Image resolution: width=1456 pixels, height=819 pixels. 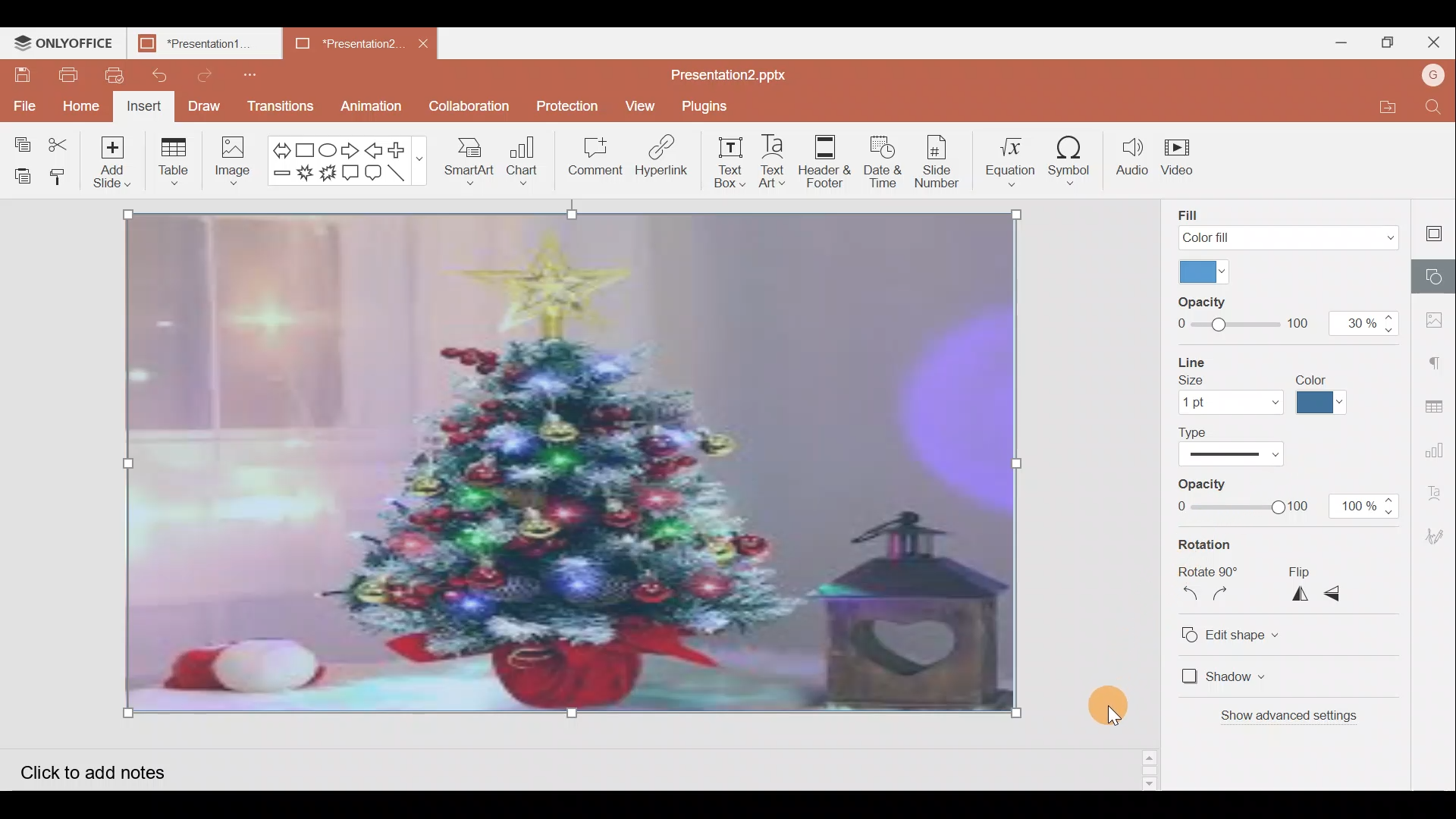 I want to click on Plugins, so click(x=710, y=106).